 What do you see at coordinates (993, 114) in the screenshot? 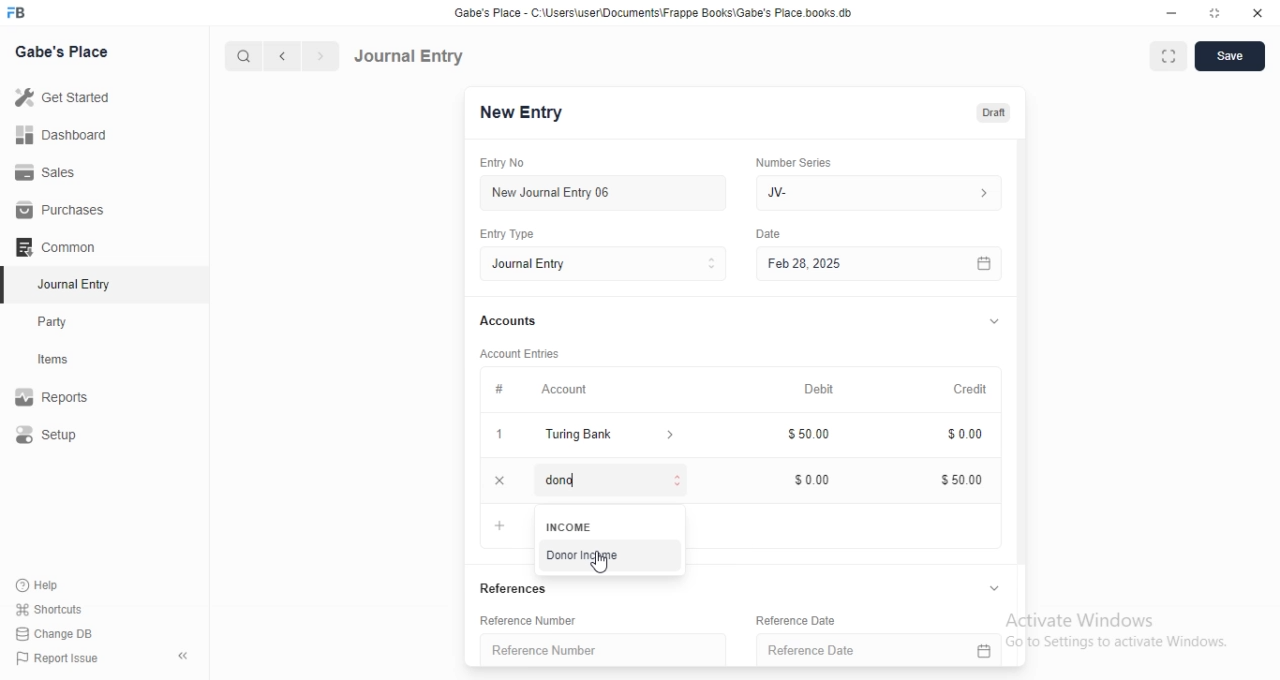
I see `draft` at bounding box center [993, 114].